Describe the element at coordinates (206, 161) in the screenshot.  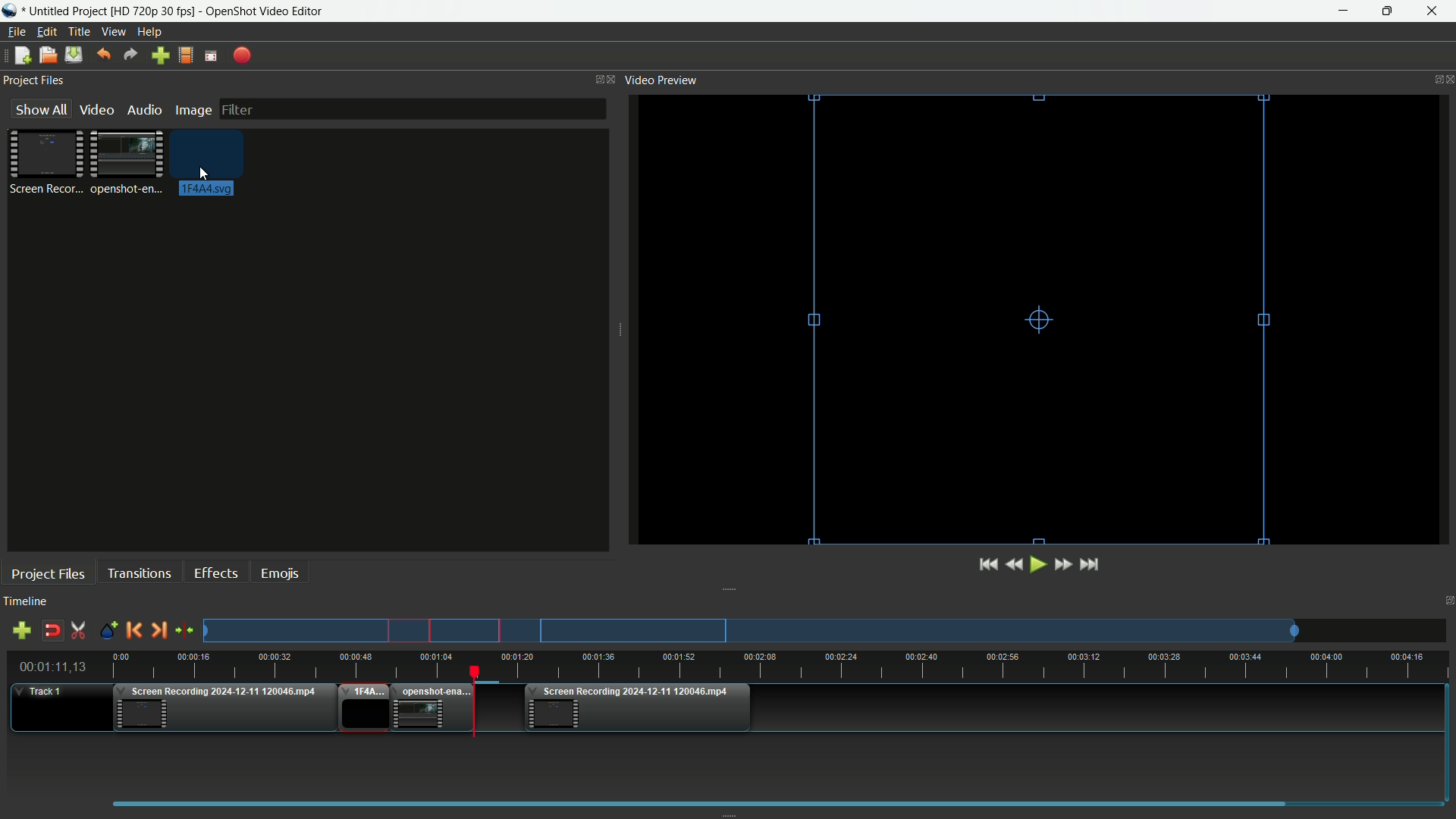
I see `Image for placeholder` at that location.